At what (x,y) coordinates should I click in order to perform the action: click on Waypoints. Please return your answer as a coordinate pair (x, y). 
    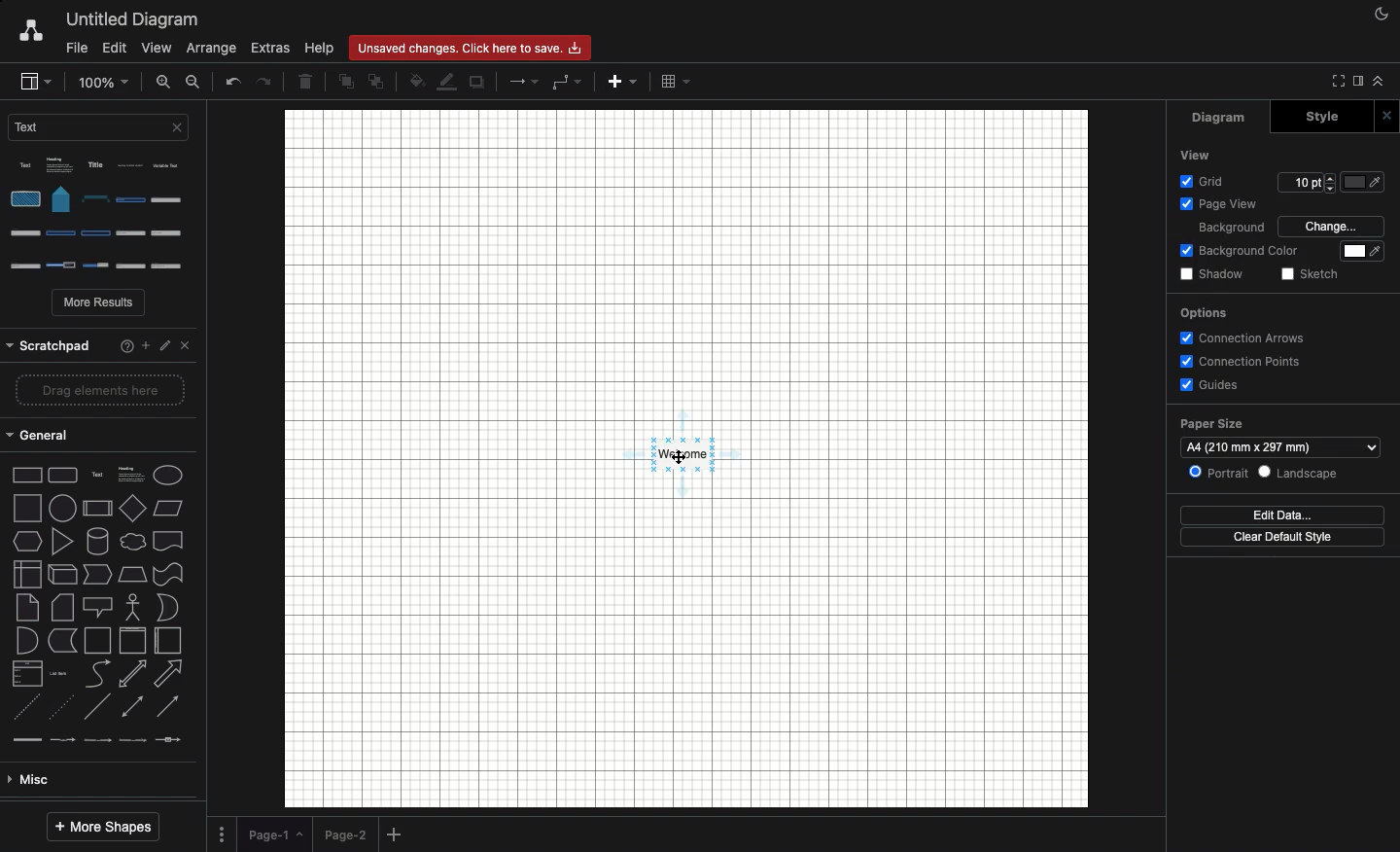
    Looking at the image, I should click on (567, 83).